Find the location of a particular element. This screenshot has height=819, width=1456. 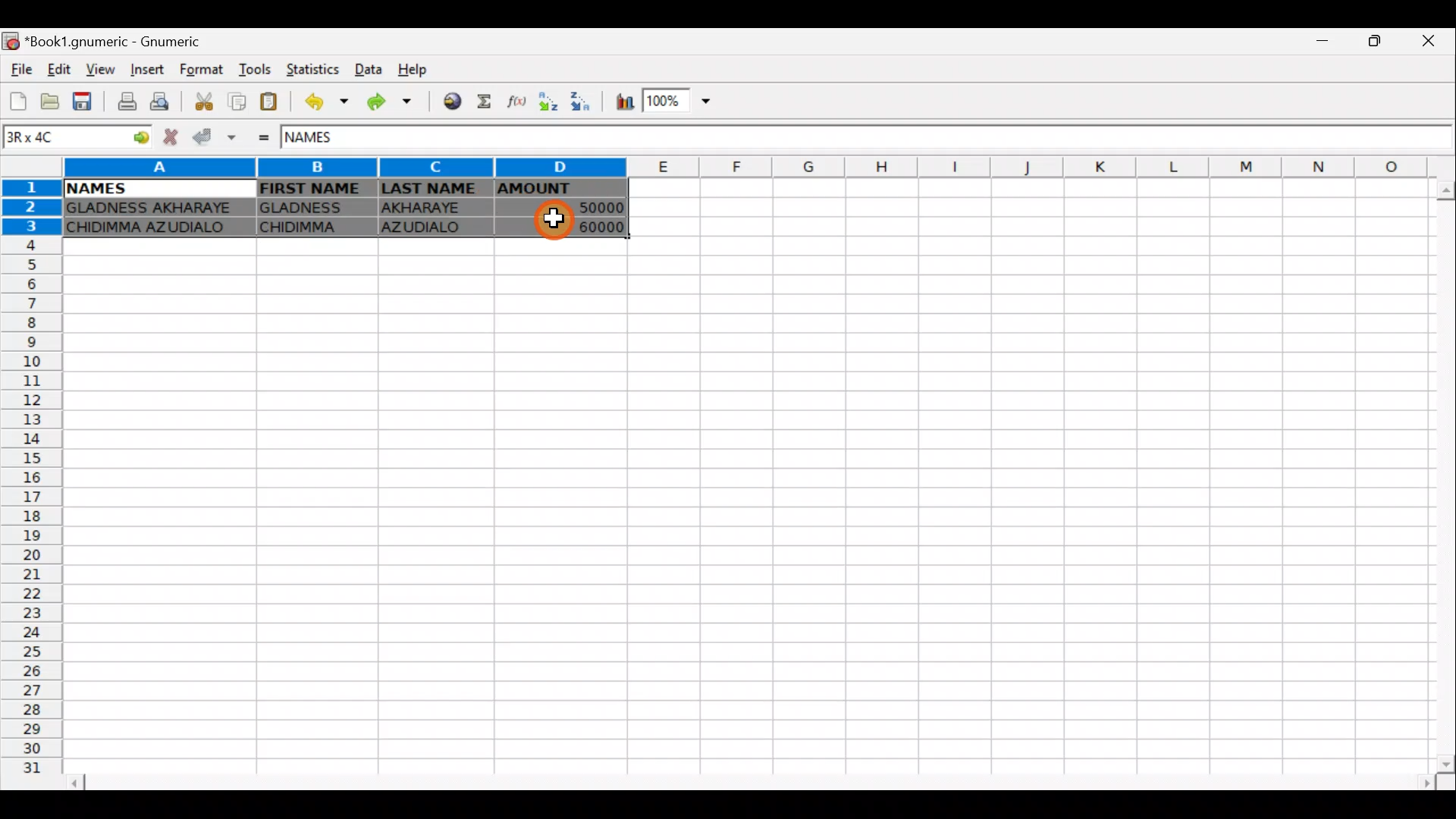

Close is located at coordinates (1434, 41).